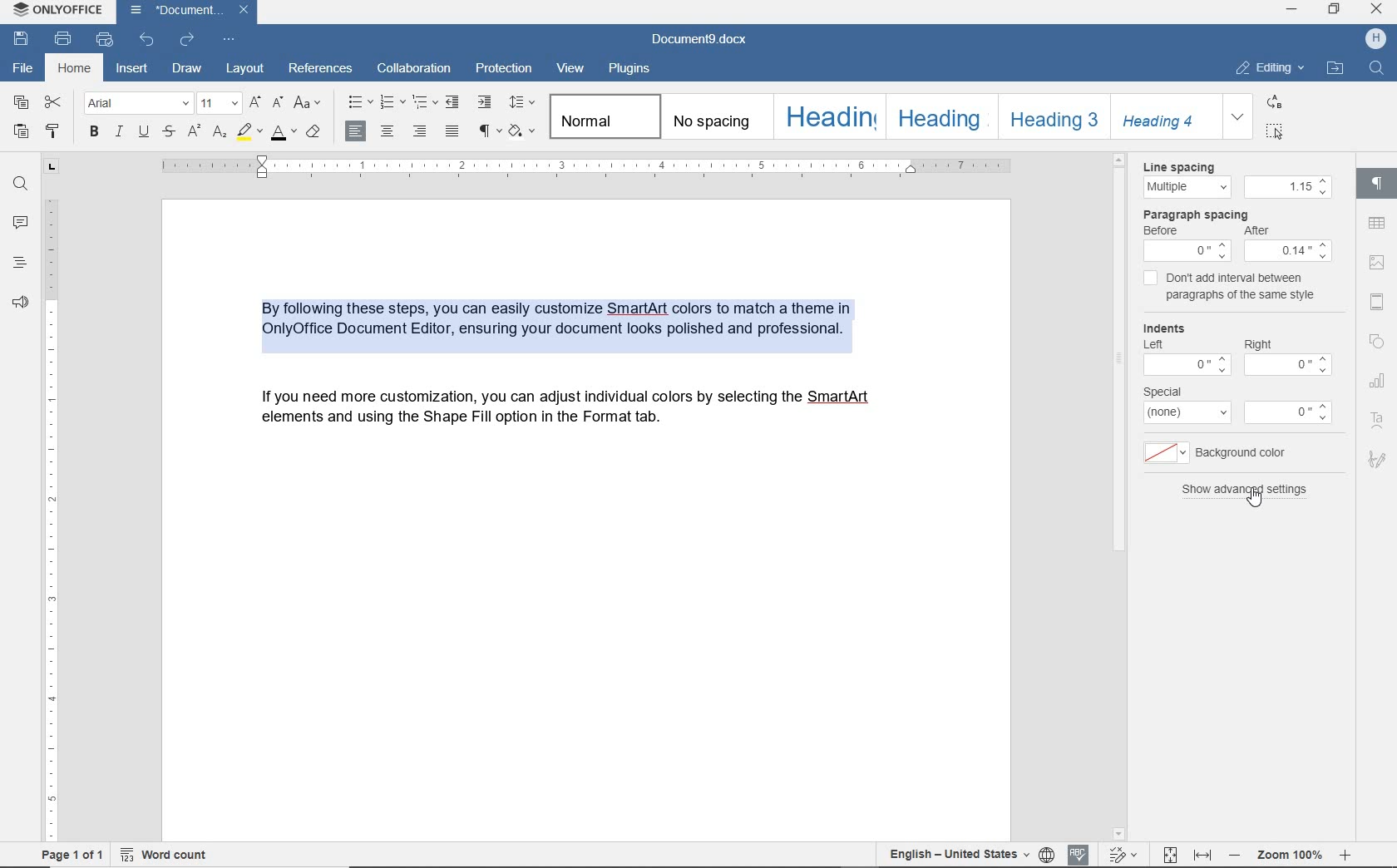 This screenshot has width=1397, height=868. What do you see at coordinates (358, 101) in the screenshot?
I see `bullets` at bounding box center [358, 101].